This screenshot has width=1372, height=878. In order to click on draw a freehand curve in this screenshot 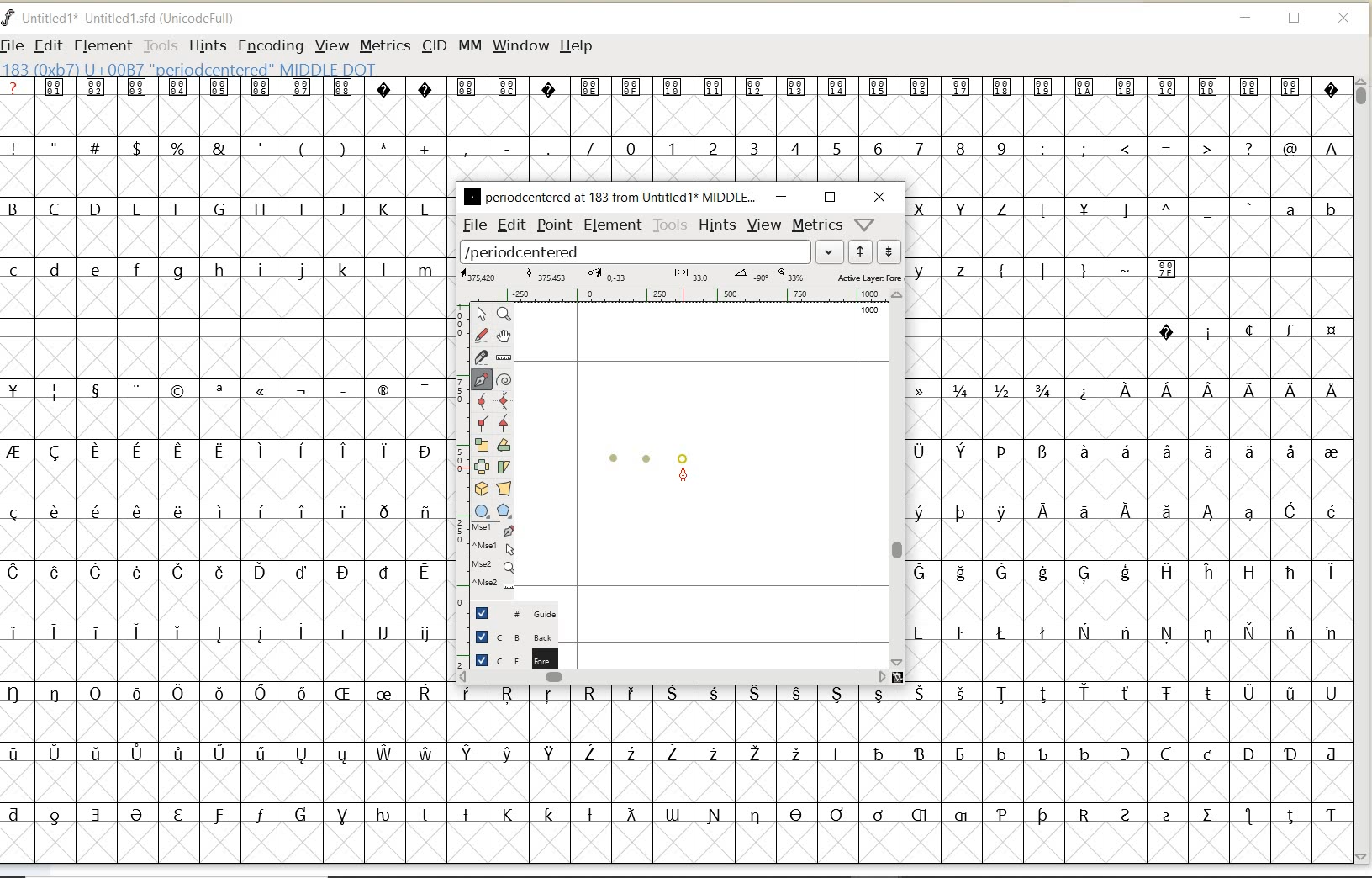, I will do `click(481, 333)`.